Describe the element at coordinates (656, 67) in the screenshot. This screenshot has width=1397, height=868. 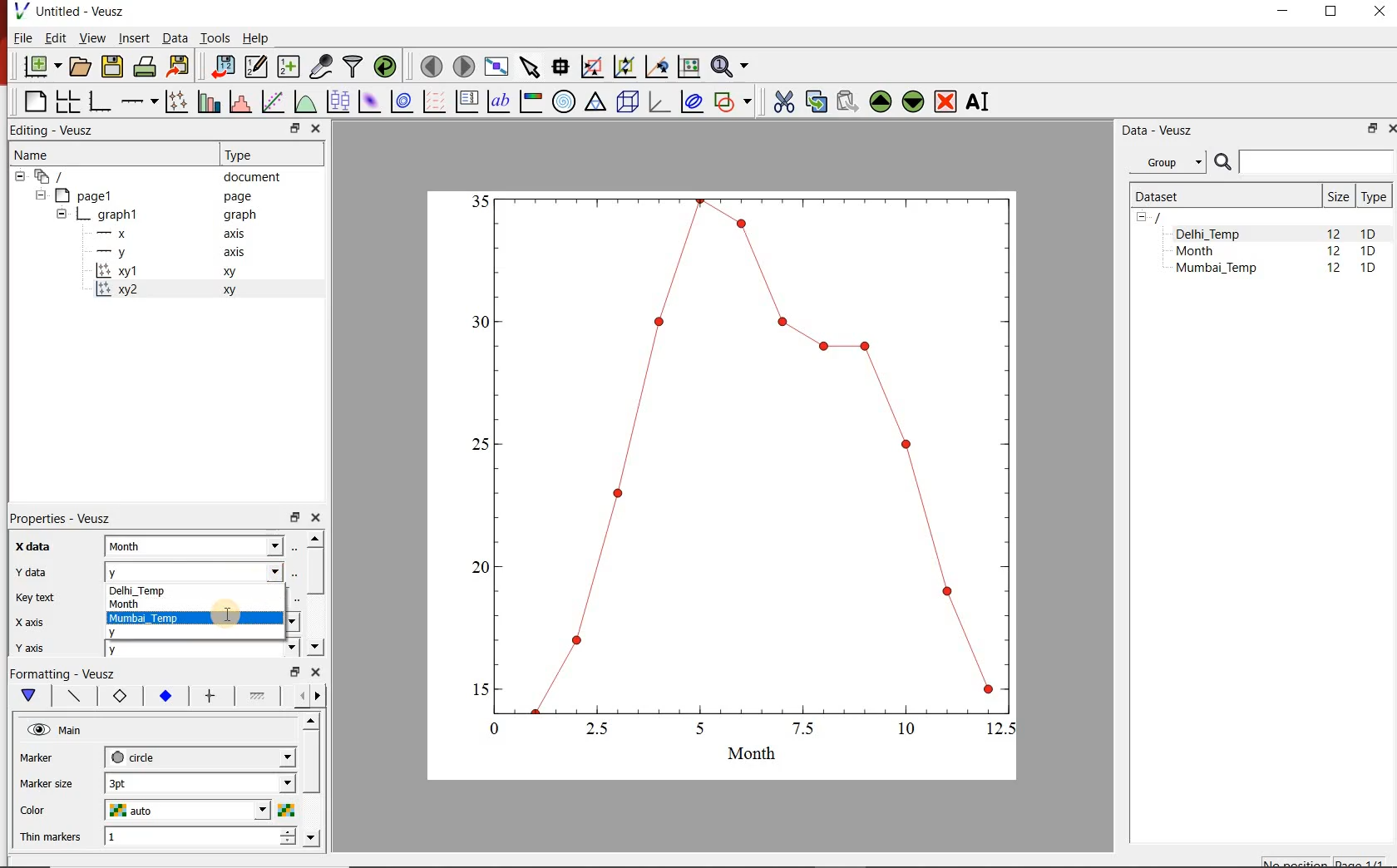
I see `click to recenter graph axes` at that location.